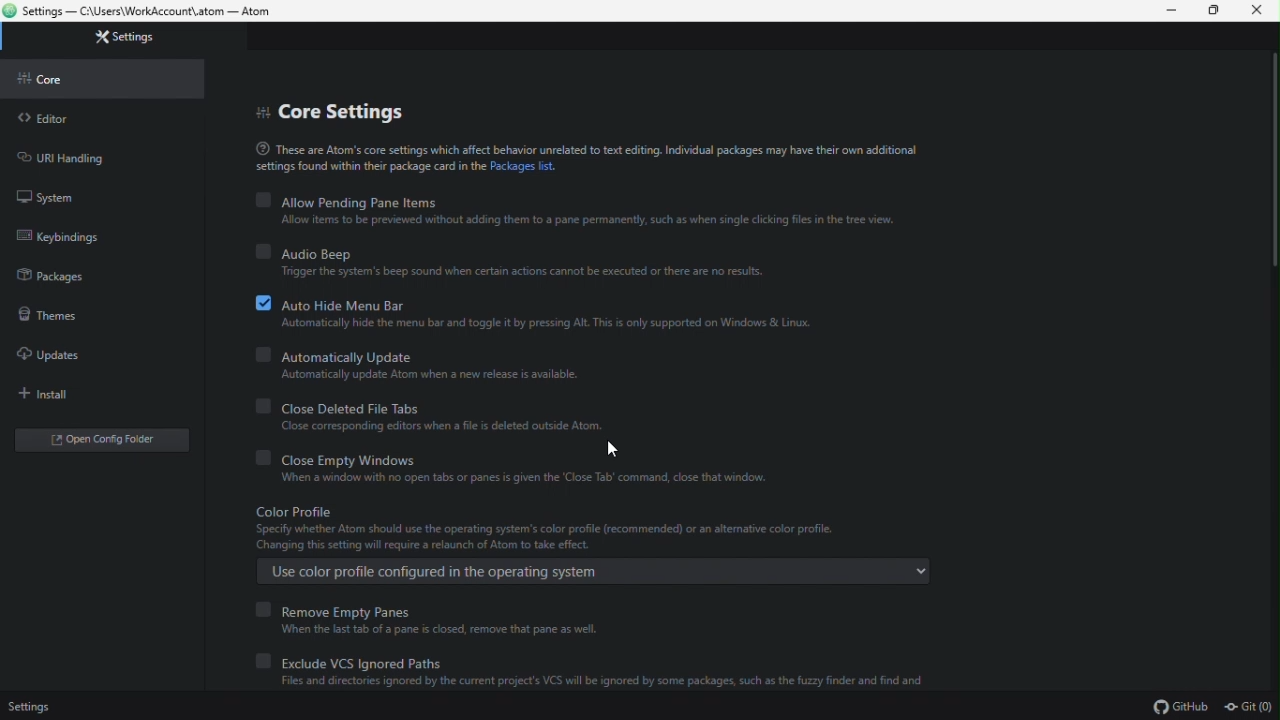 The height and width of the screenshot is (720, 1280). Describe the element at coordinates (348, 112) in the screenshot. I see `core settings` at that location.